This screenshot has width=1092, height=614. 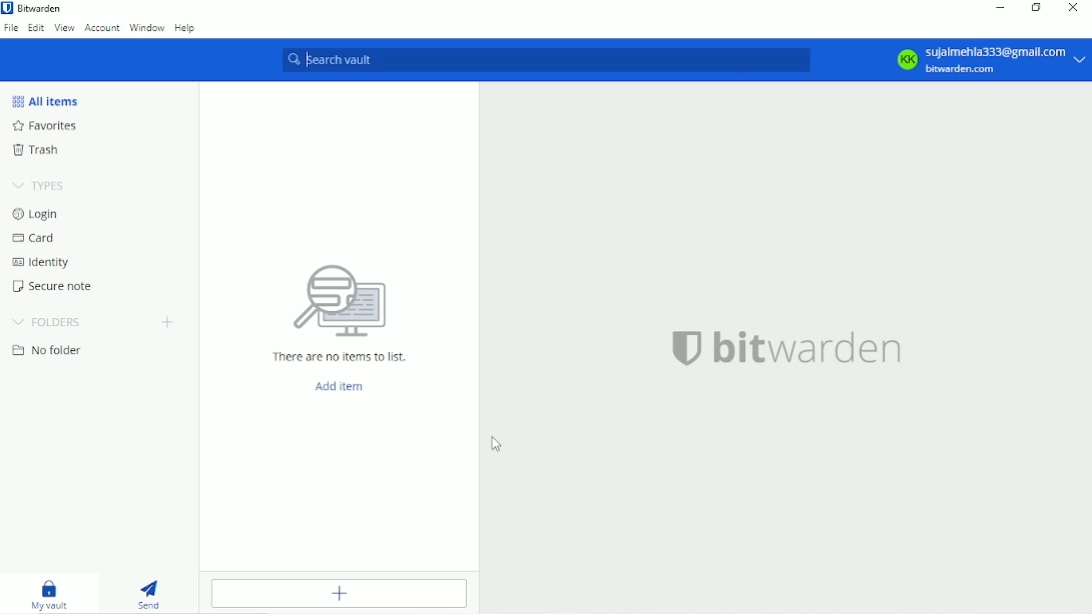 I want to click on Card, so click(x=36, y=238).